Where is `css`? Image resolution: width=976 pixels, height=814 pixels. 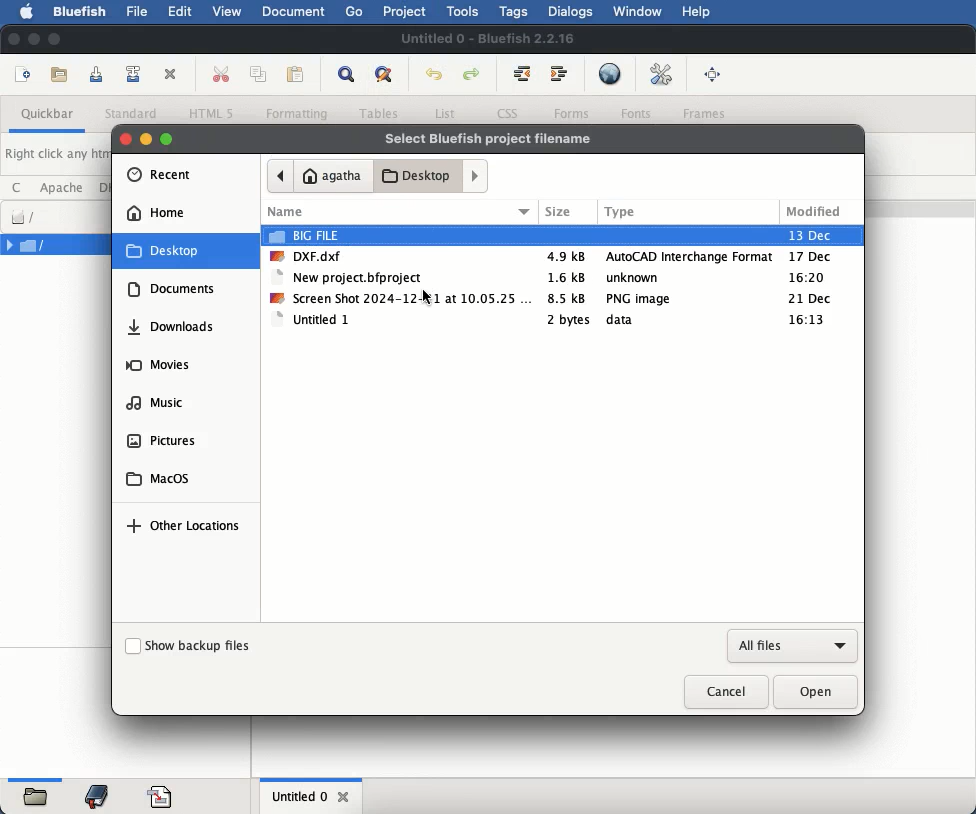 css is located at coordinates (509, 112).